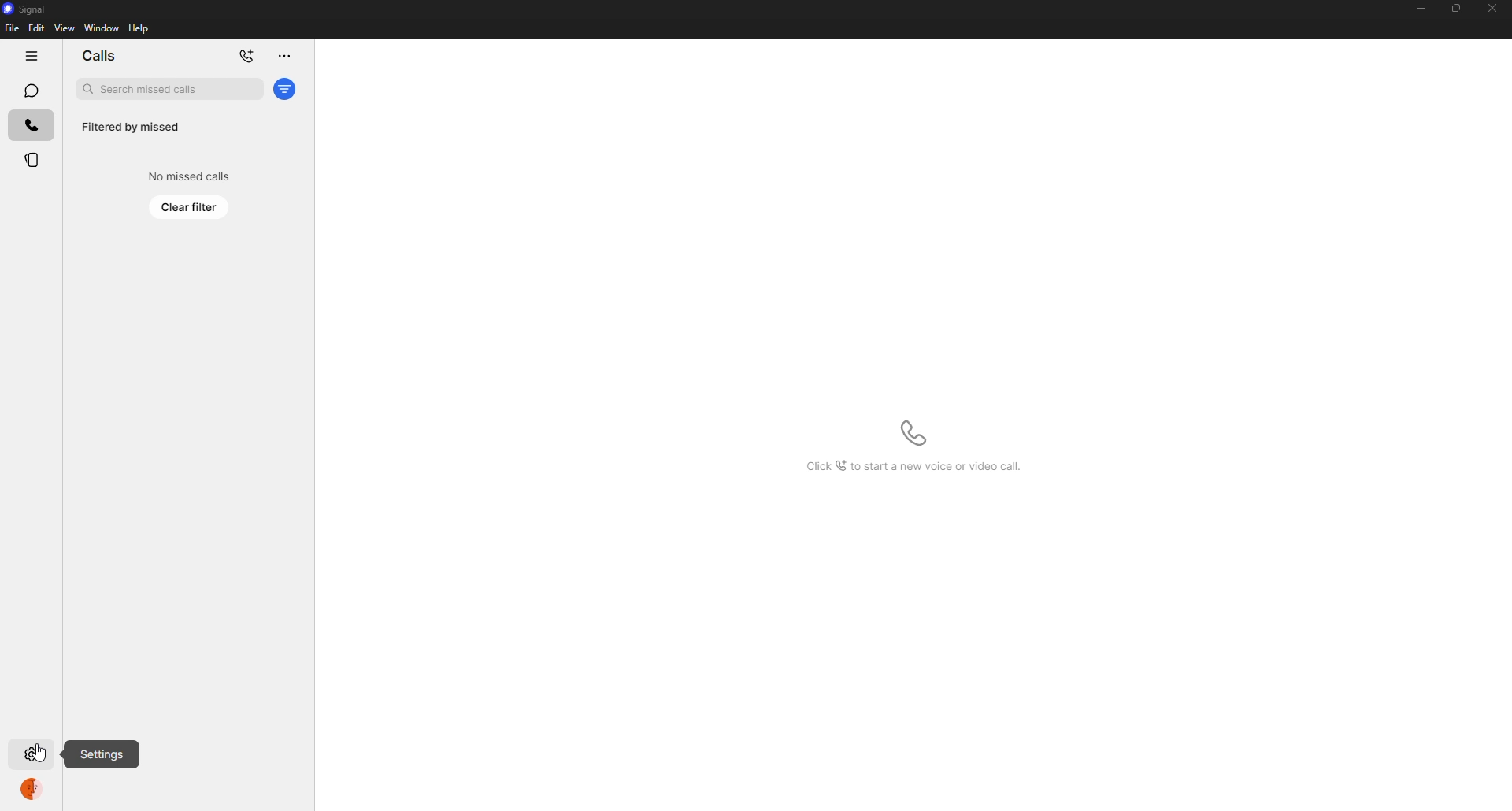 This screenshot has height=811, width=1512. What do you see at coordinates (29, 90) in the screenshot?
I see `chats` at bounding box center [29, 90].